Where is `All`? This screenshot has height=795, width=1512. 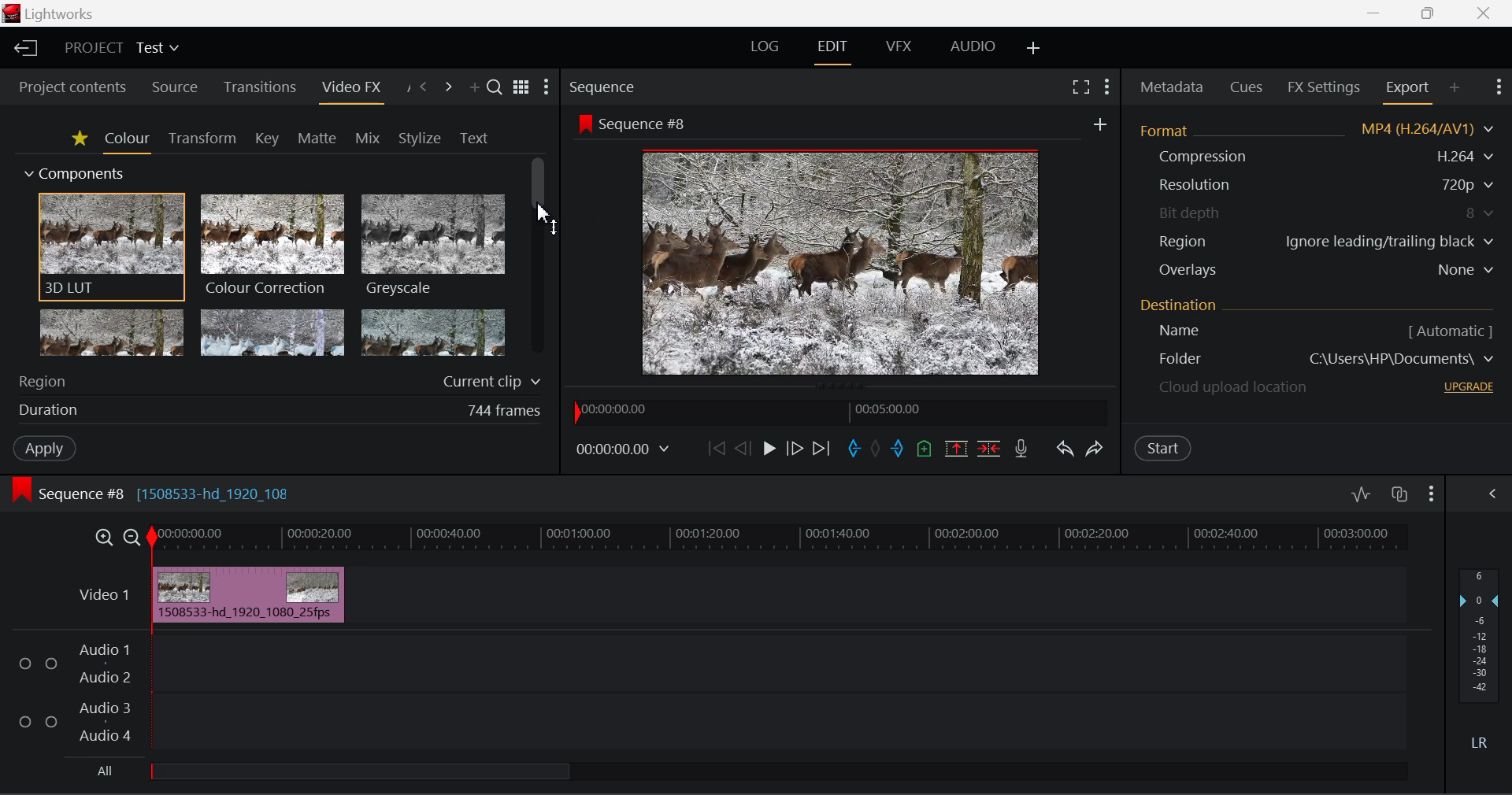 All is located at coordinates (106, 770).